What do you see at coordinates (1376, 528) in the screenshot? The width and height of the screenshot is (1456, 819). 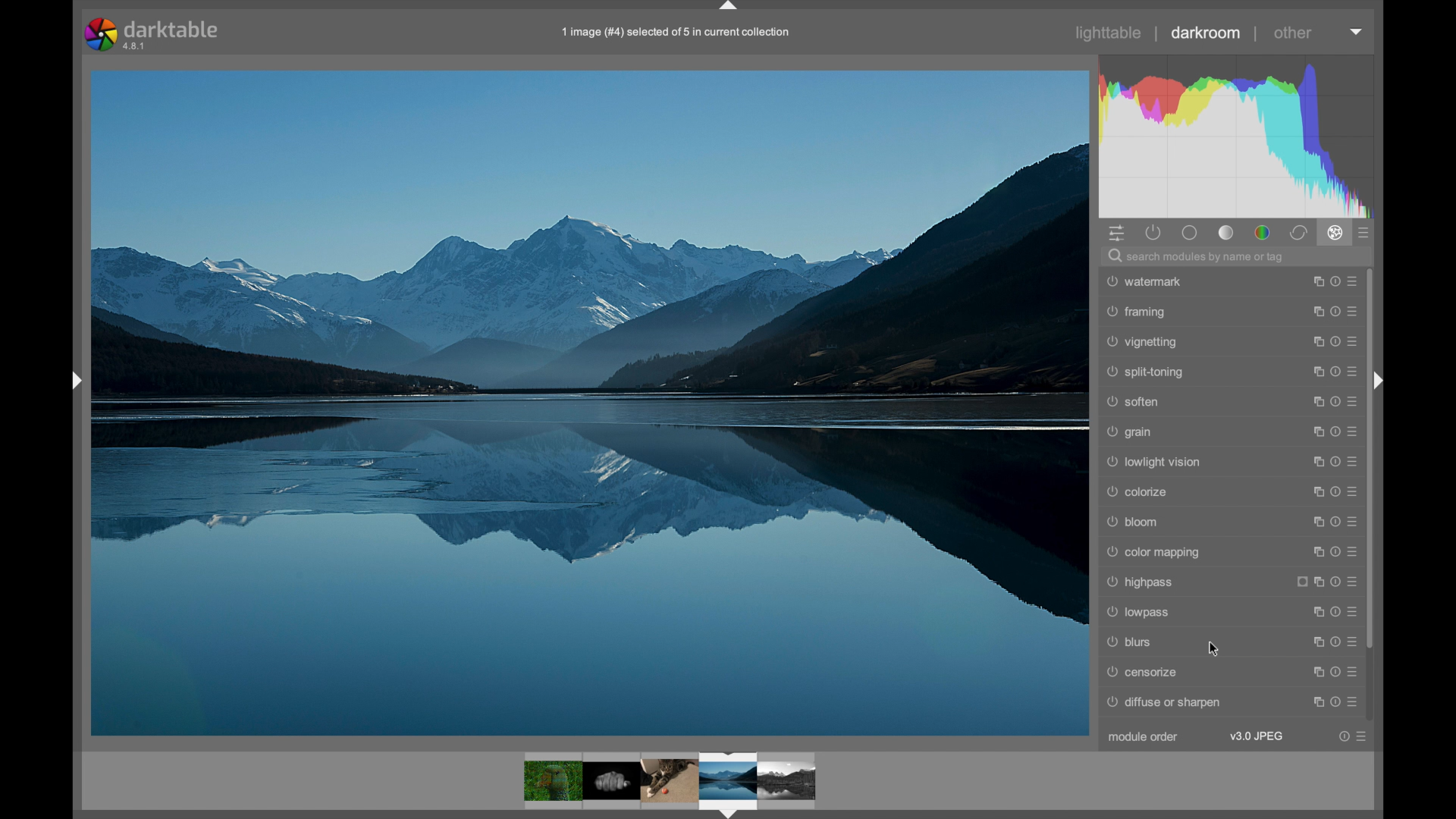 I see `scroll box` at bounding box center [1376, 528].